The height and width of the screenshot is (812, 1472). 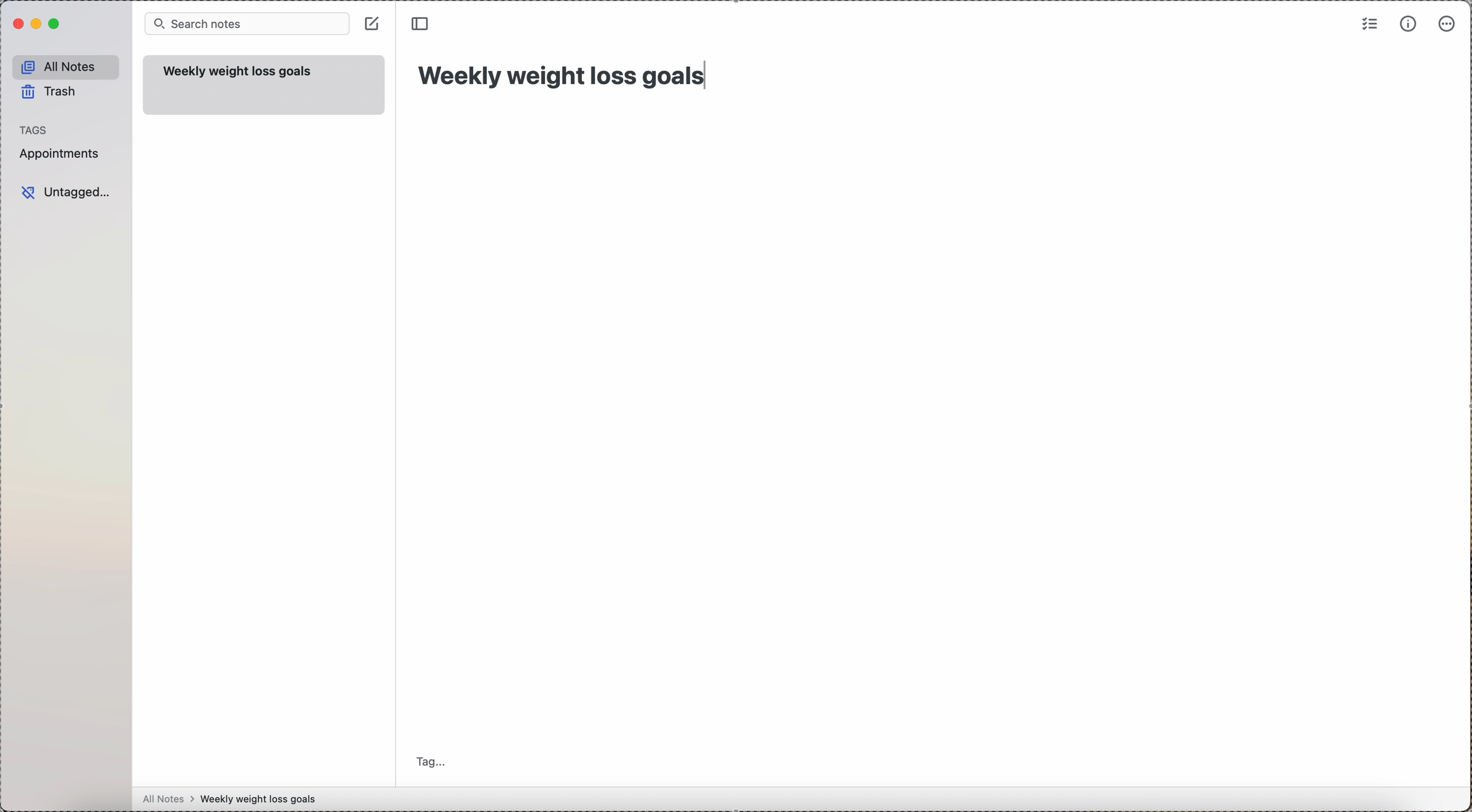 What do you see at coordinates (435, 760) in the screenshot?
I see `tag` at bounding box center [435, 760].